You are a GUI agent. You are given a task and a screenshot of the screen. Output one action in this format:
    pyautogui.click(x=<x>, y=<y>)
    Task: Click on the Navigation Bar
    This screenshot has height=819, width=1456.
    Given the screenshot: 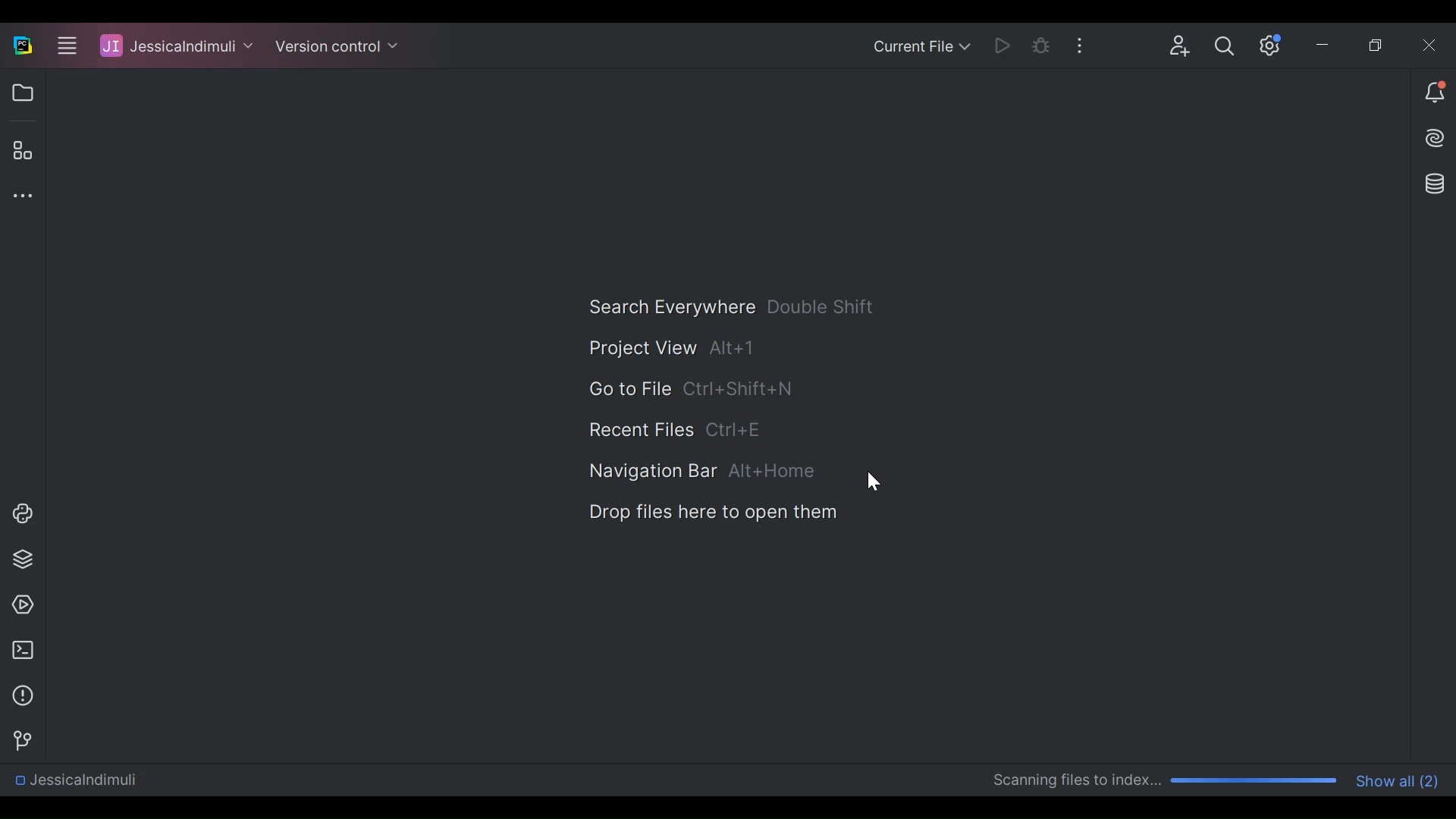 What is the action you would take?
    pyautogui.click(x=701, y=472)
    